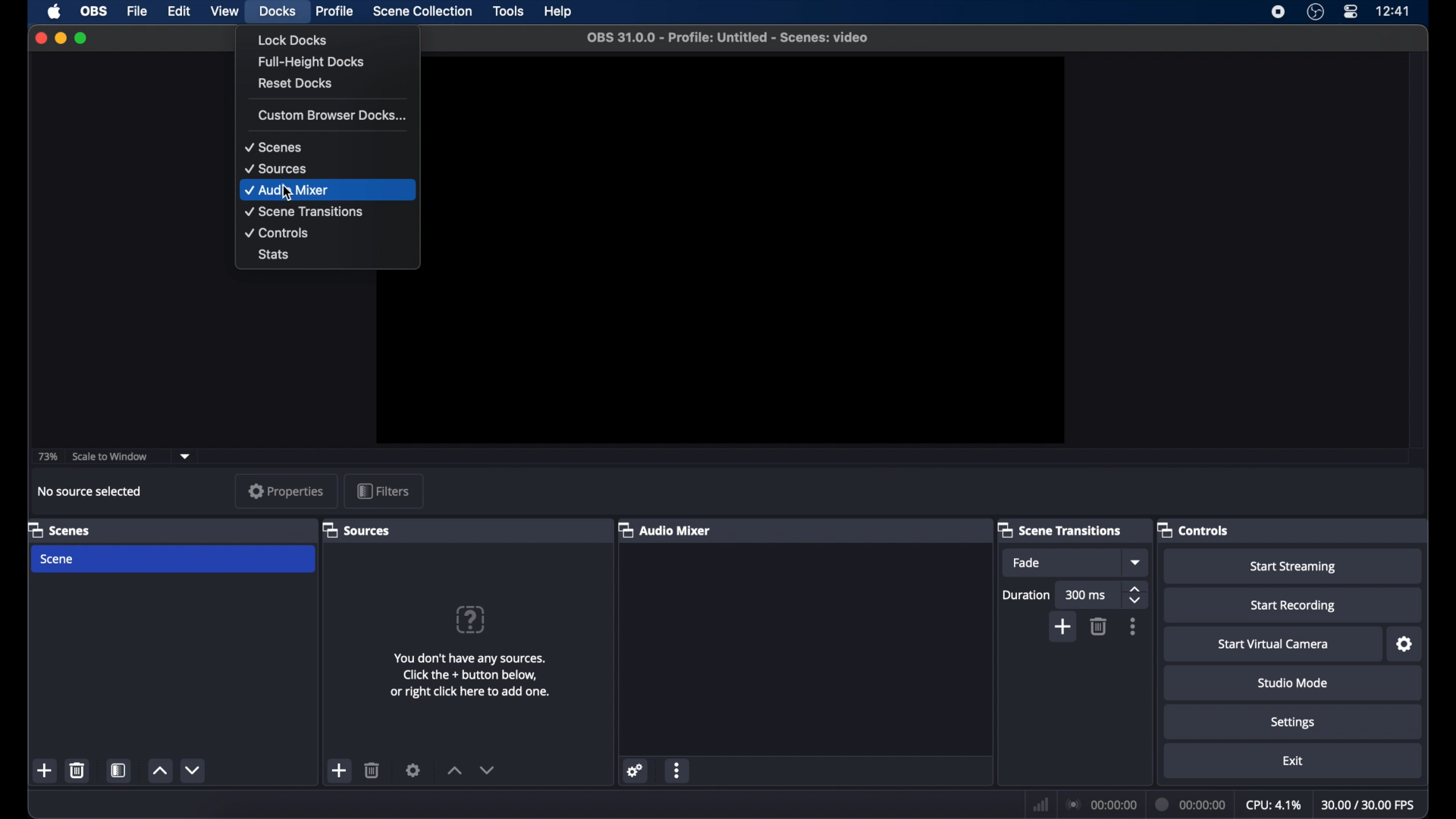 This screenshot has width=1456, height=819. I want to click on tools, so click(508, 11).